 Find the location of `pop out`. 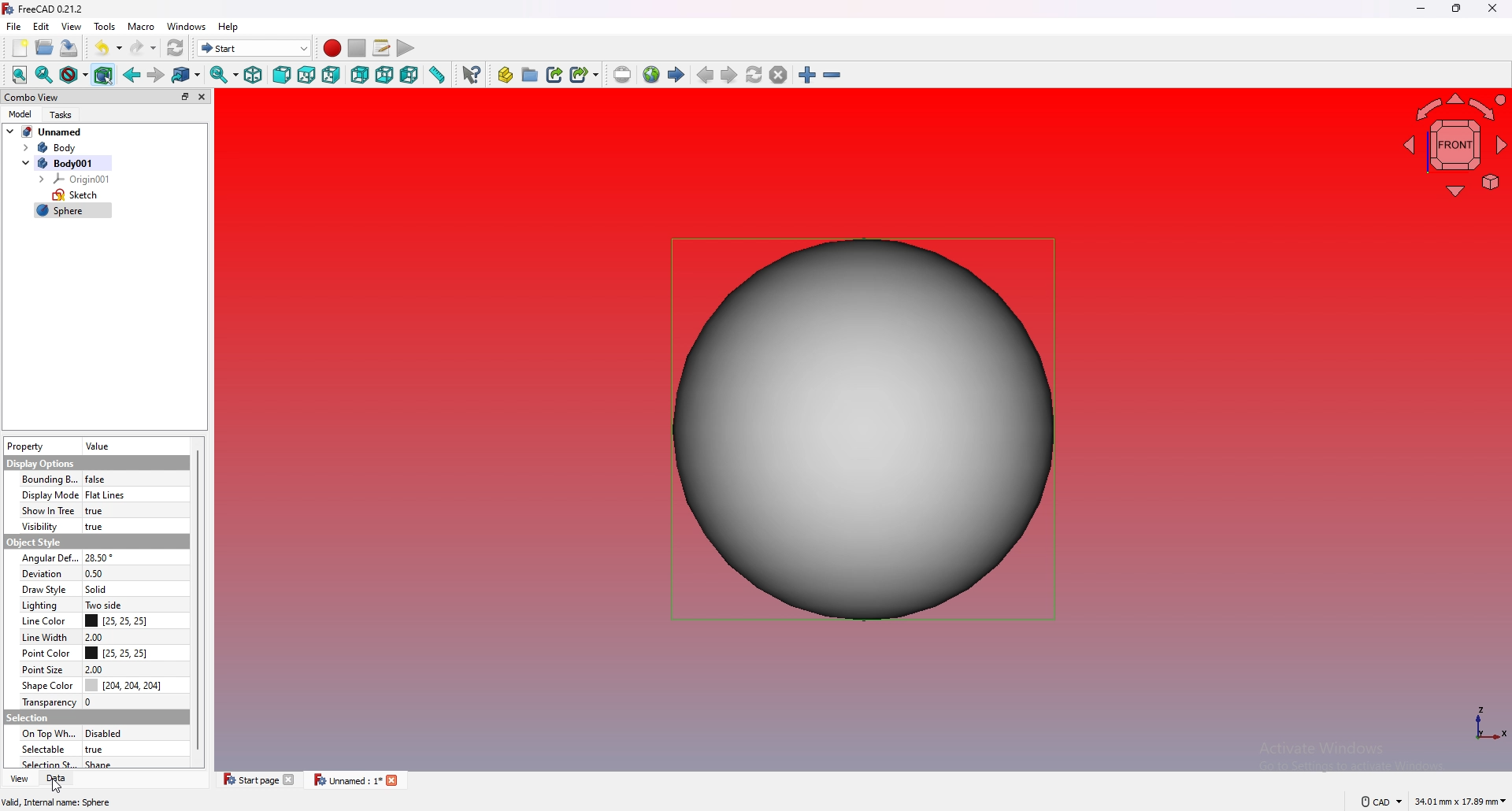

pop out is located at coordinates (183, 96).